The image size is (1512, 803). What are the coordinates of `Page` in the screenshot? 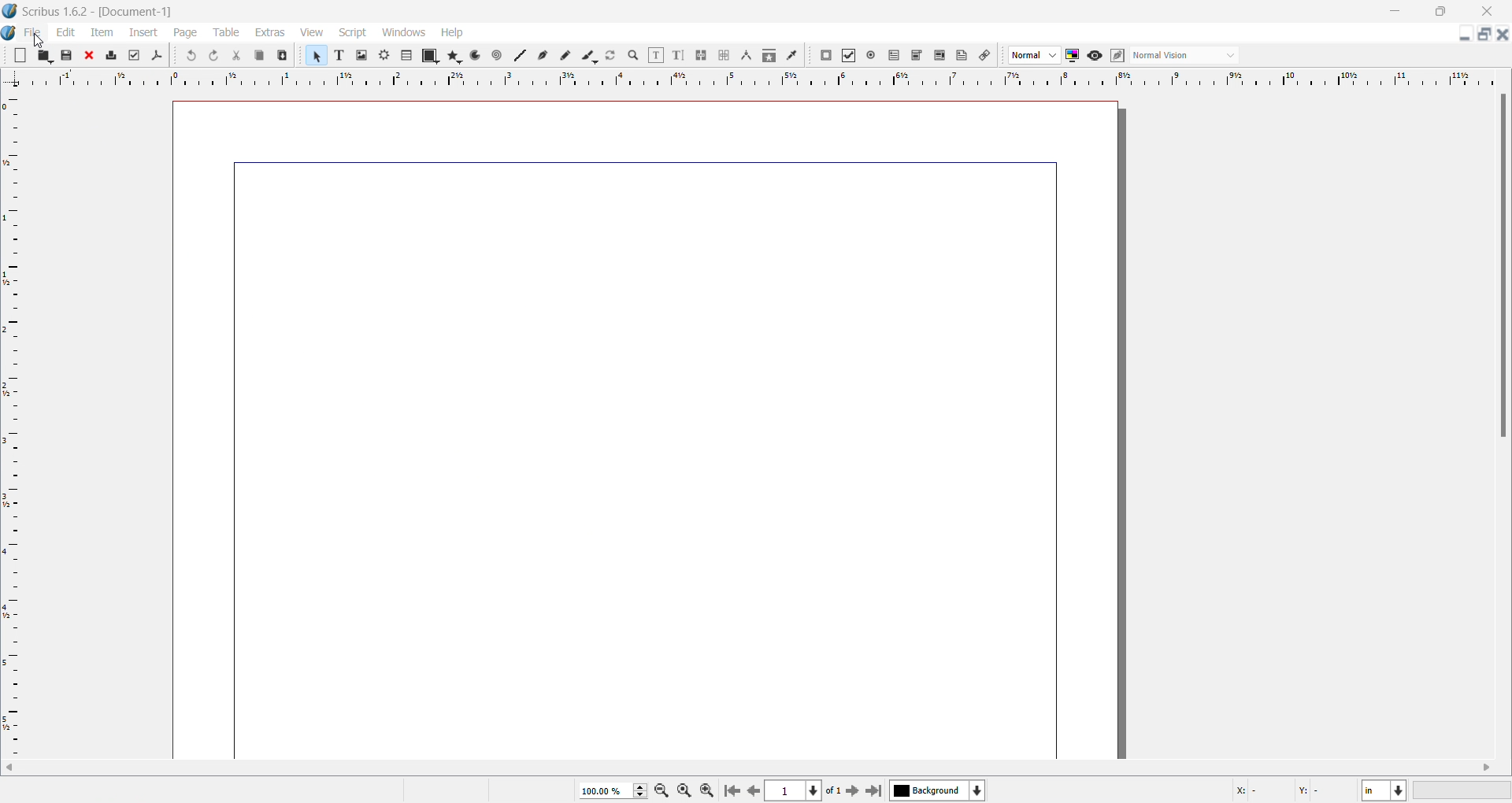 It's located at (186, 32).